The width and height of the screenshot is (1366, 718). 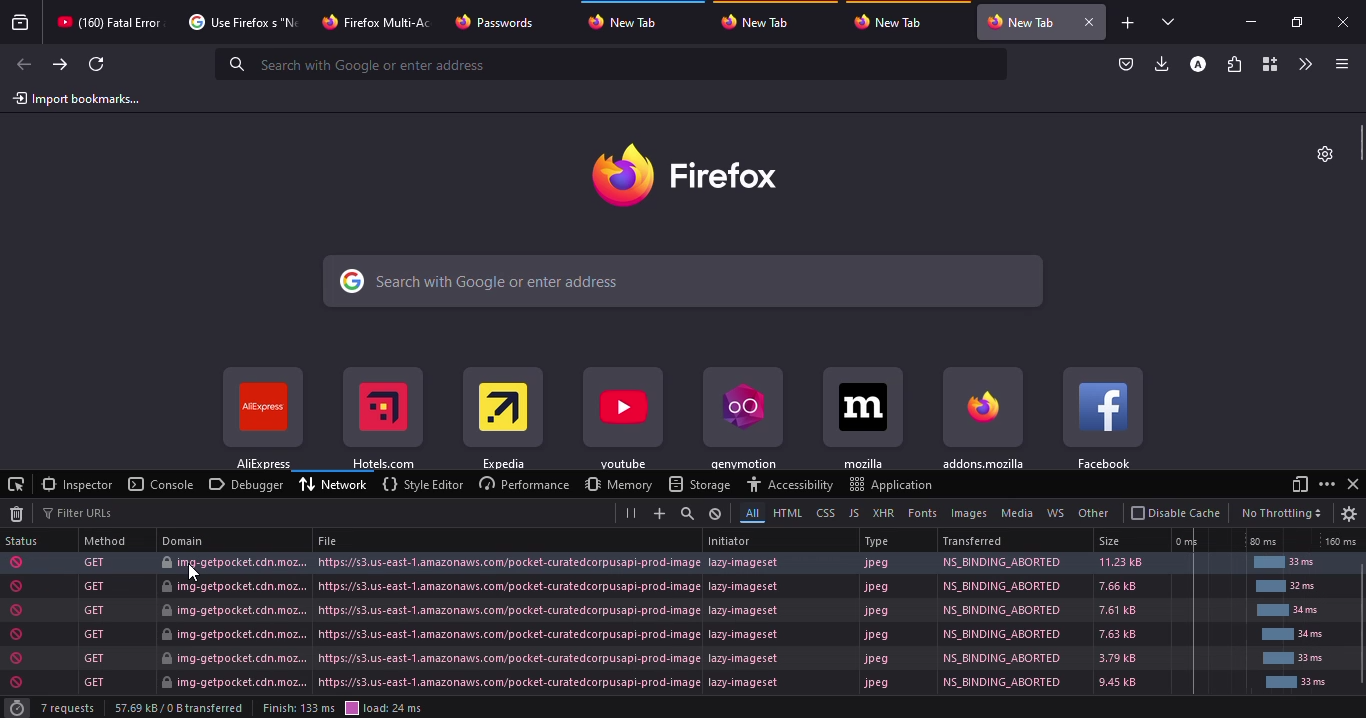 What do you see at coordinates (182, 708) in the screenshot?
I see `transferred` at bounding box center [182, 708].